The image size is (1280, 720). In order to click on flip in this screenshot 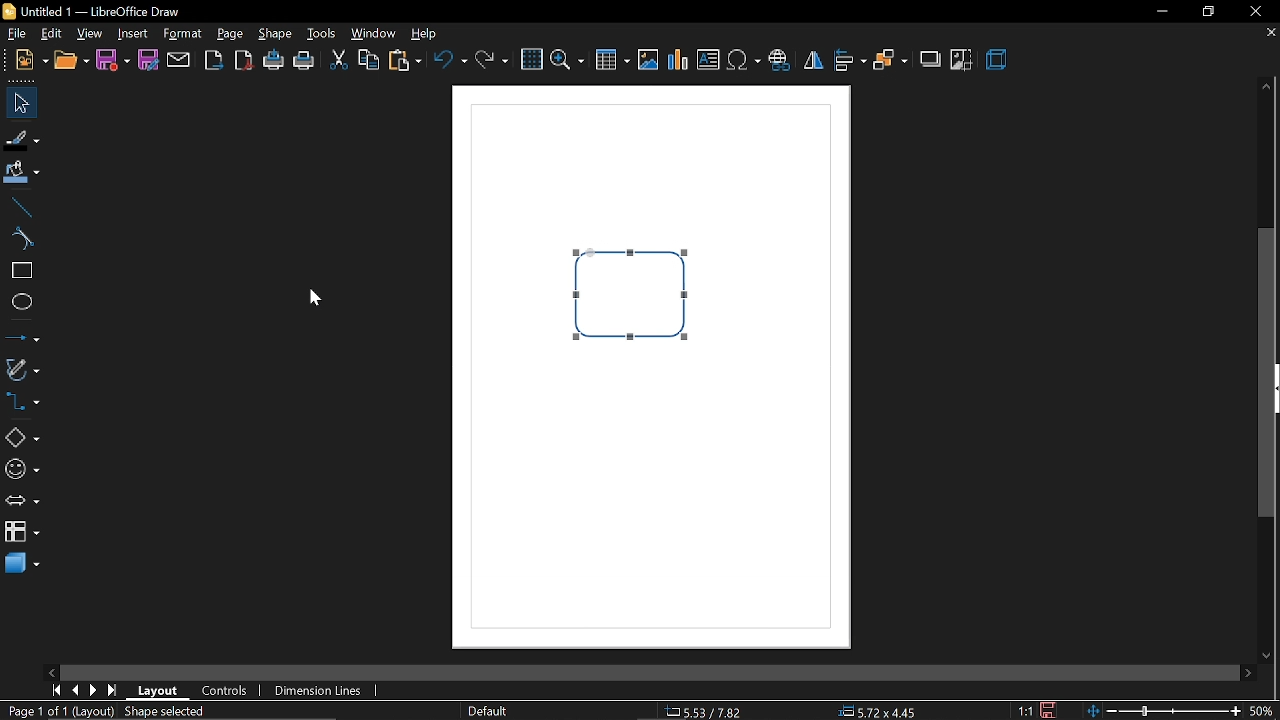, I will do `click(812, 63)`.